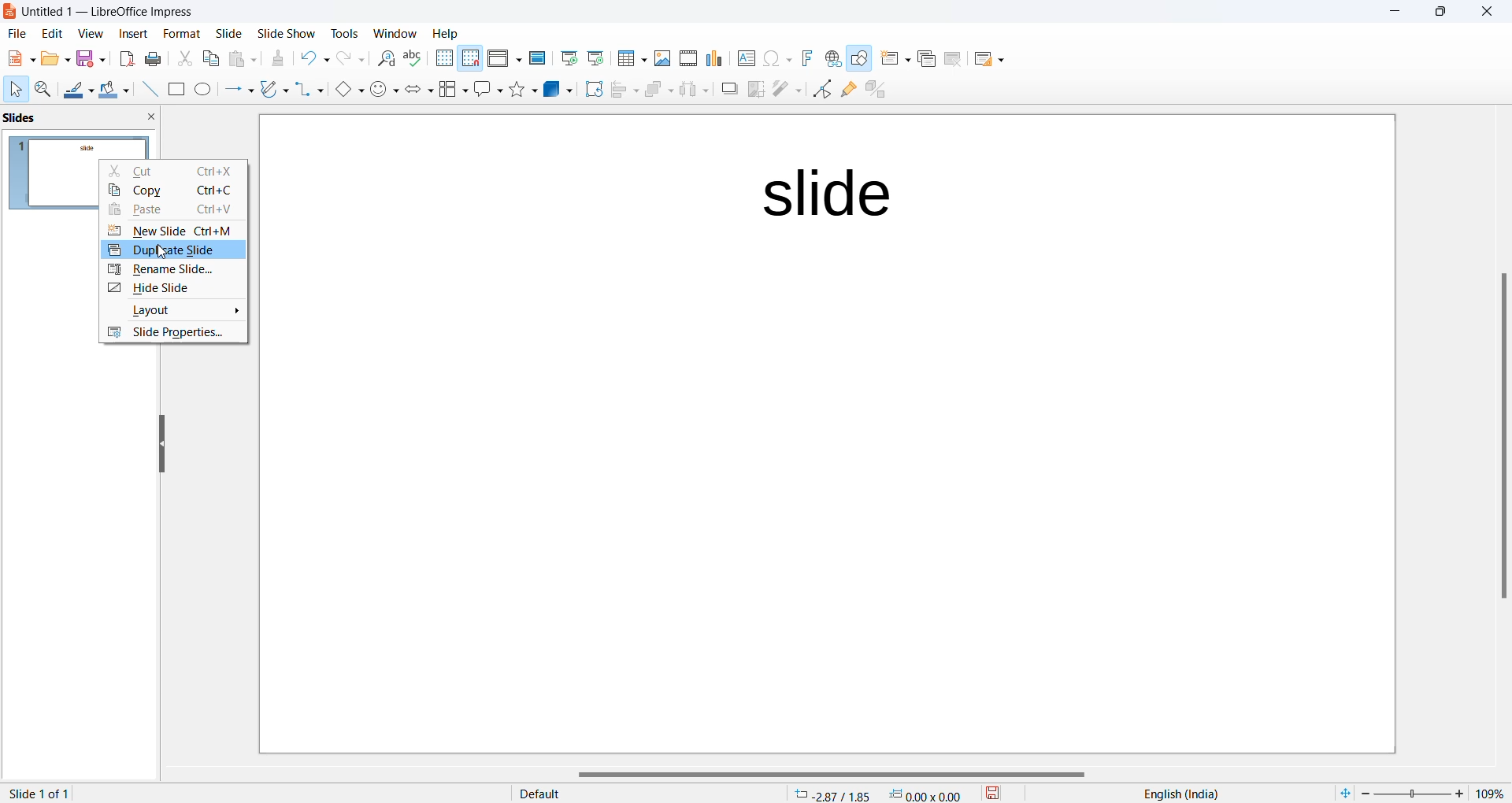 The image size is (1512, 803). Describe the element at coordinates (754, 90) in the screenshot. I see `crop image` at that location.